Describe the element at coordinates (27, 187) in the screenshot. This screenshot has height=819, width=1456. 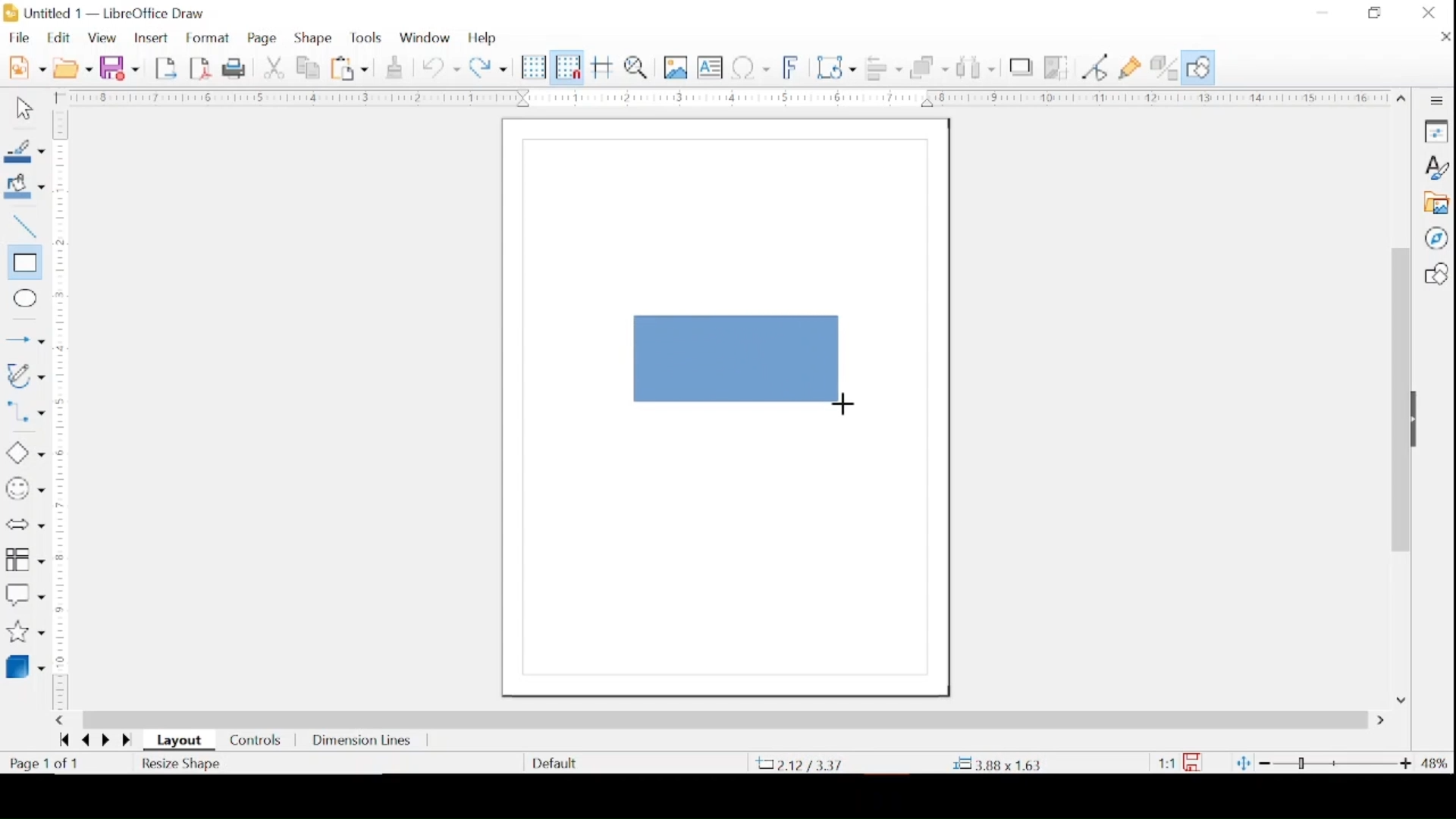
I see `fill color` at that location.